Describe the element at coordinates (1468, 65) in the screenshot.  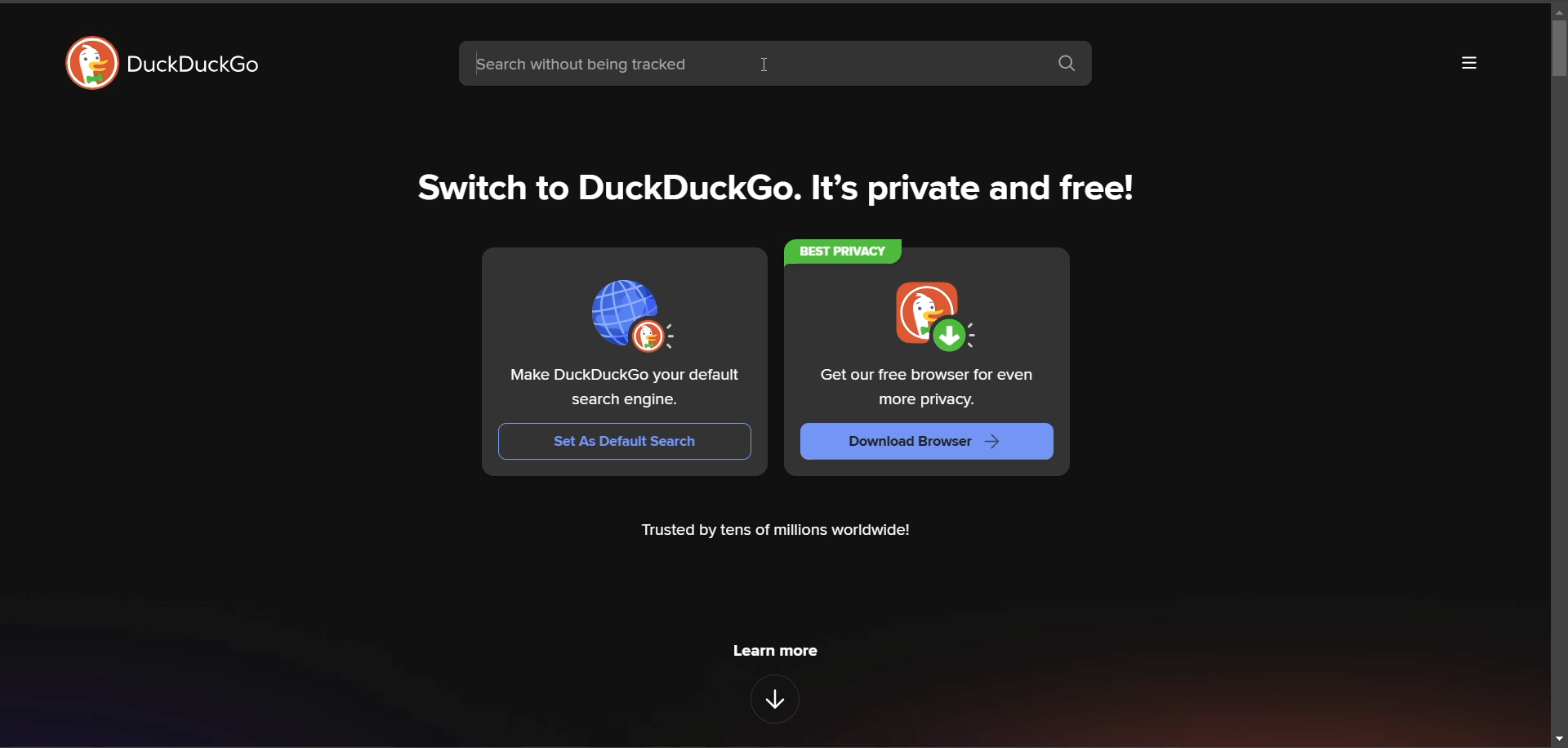
I see `more options` at that location.